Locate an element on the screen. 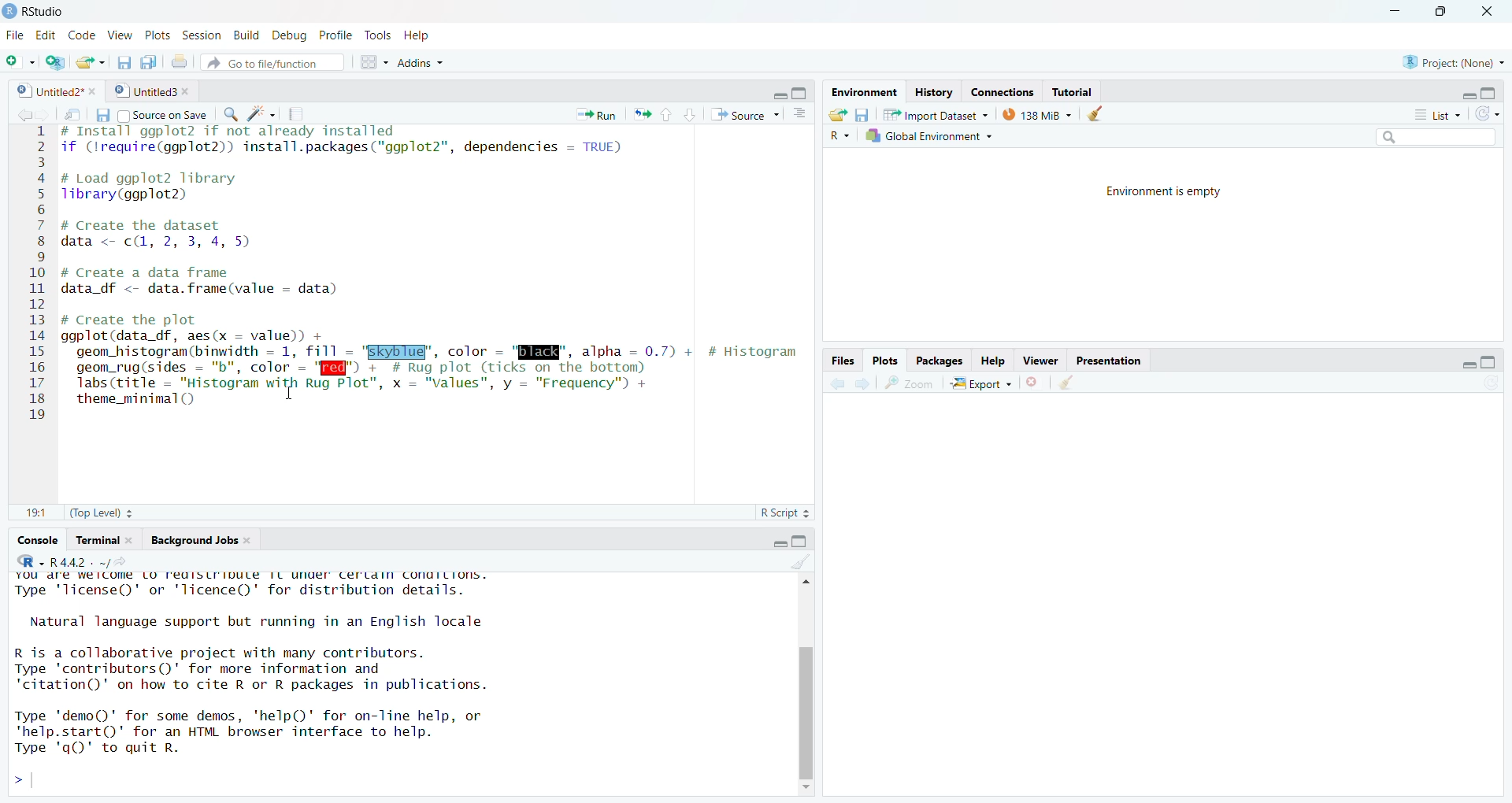 The height and width of the screenshot is (803, 1512). Environment is located at coordinates (864, 90).